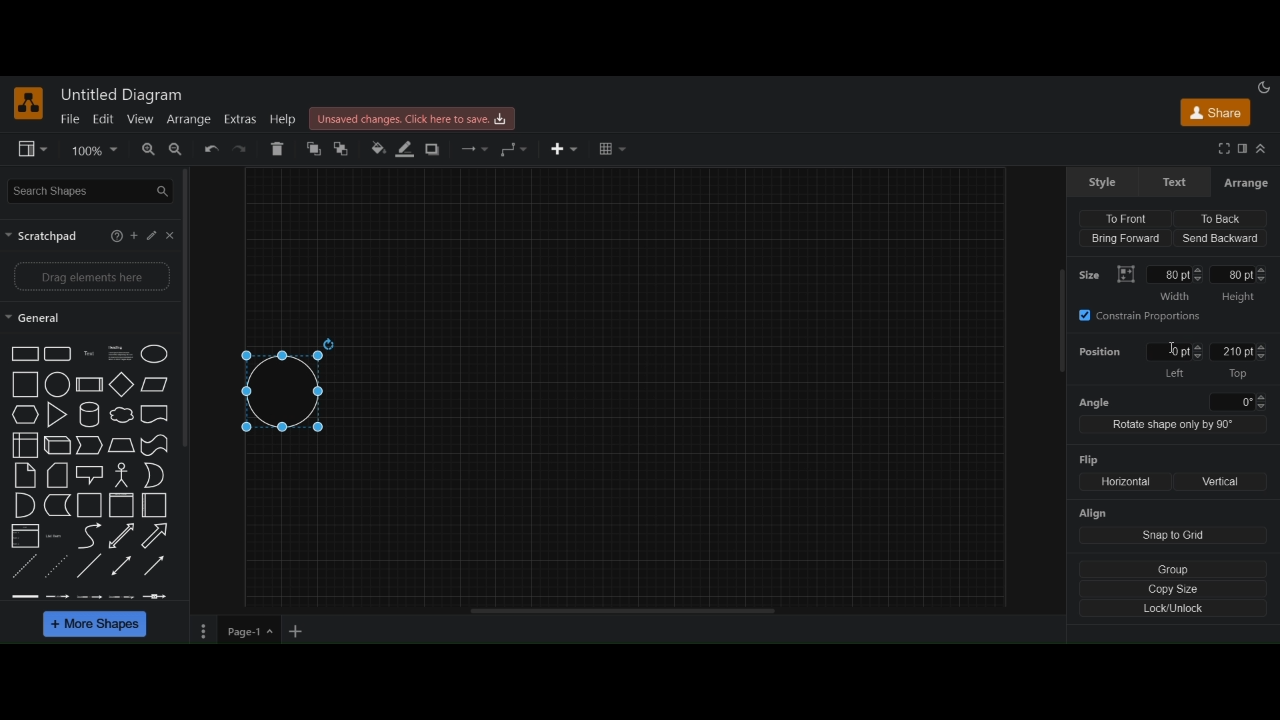 The height and width of the screenshot is (720, 1280). Describe the element at coordinates (25, 354) in the screenshot. I see `shapes` at that location.